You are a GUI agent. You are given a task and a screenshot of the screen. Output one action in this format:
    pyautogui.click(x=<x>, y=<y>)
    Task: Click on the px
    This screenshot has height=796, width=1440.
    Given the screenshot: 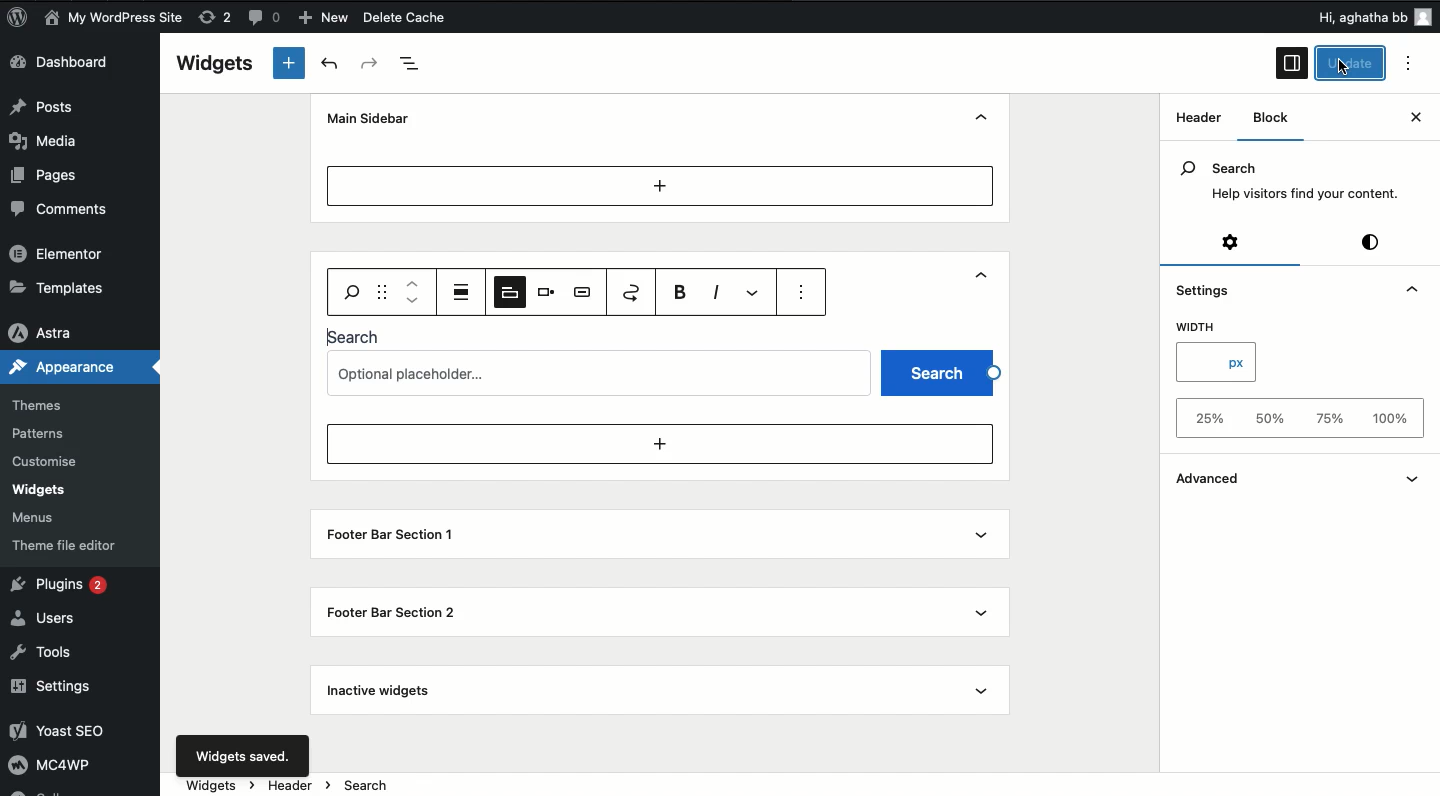 What is the action you would take?
    pyautogui.click(x=1216, y=364)
    